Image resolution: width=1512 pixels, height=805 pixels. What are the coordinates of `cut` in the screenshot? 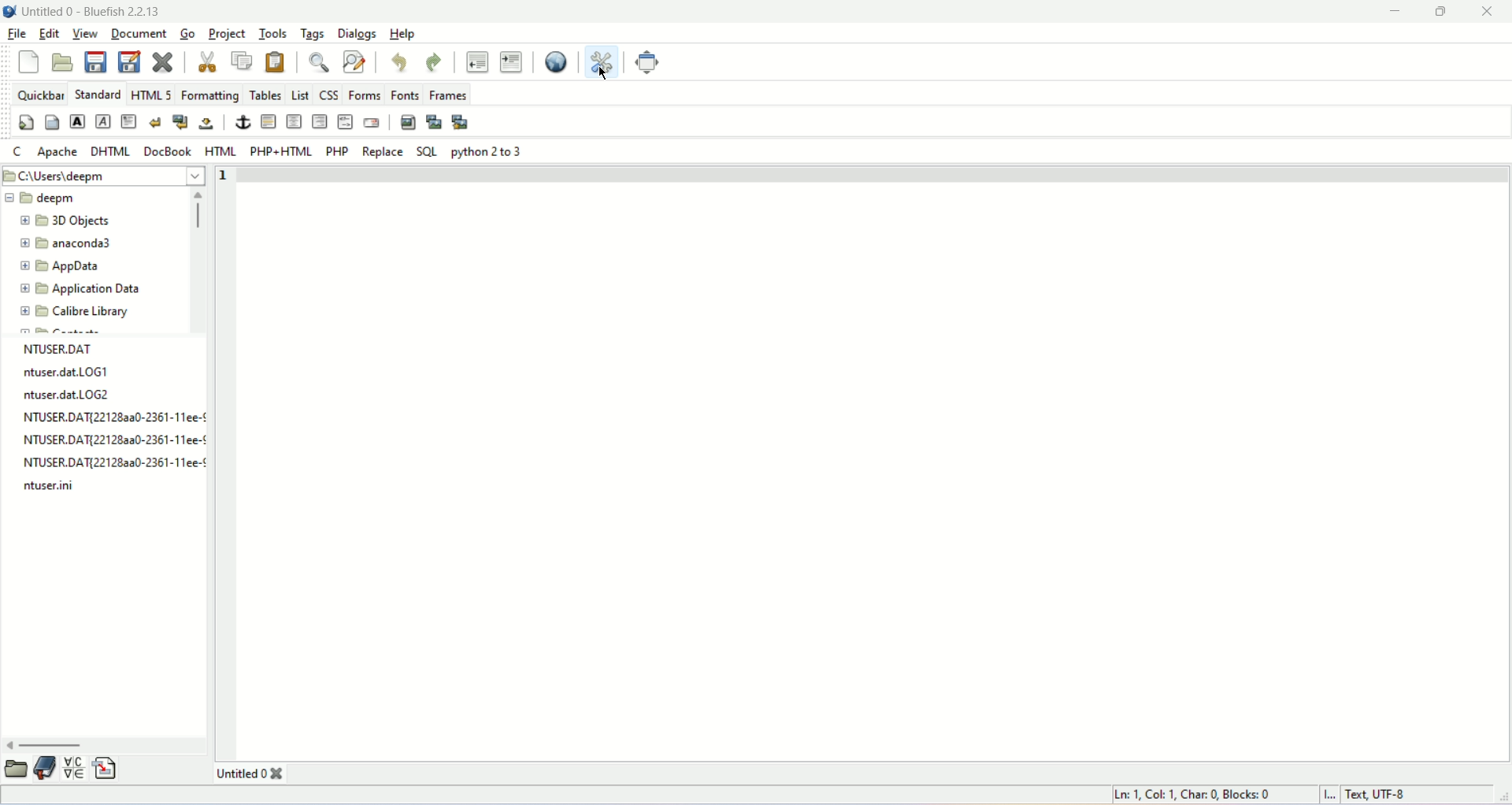 It's located at (207, 62).